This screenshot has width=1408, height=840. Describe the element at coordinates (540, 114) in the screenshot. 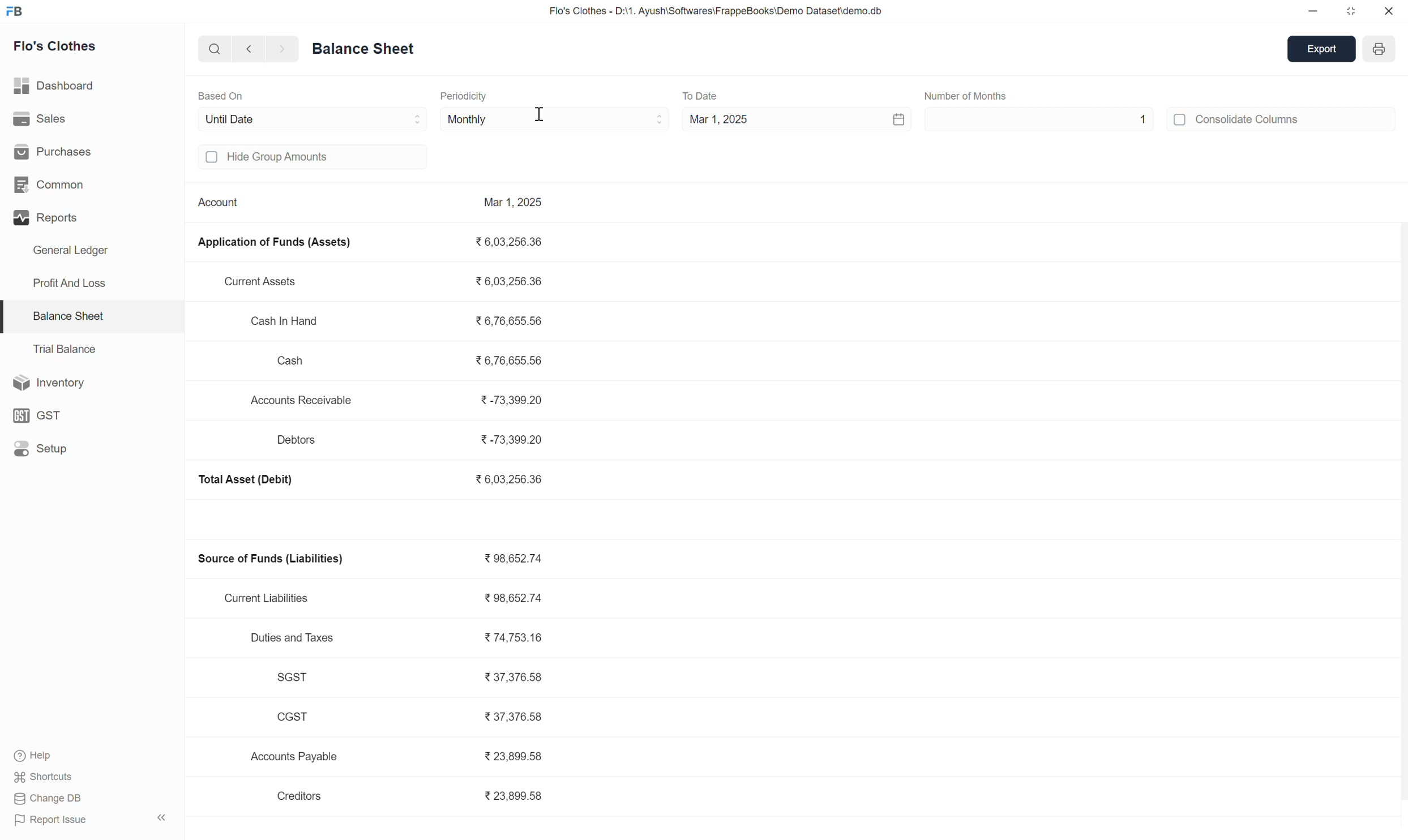

I see `cursor` at that location.